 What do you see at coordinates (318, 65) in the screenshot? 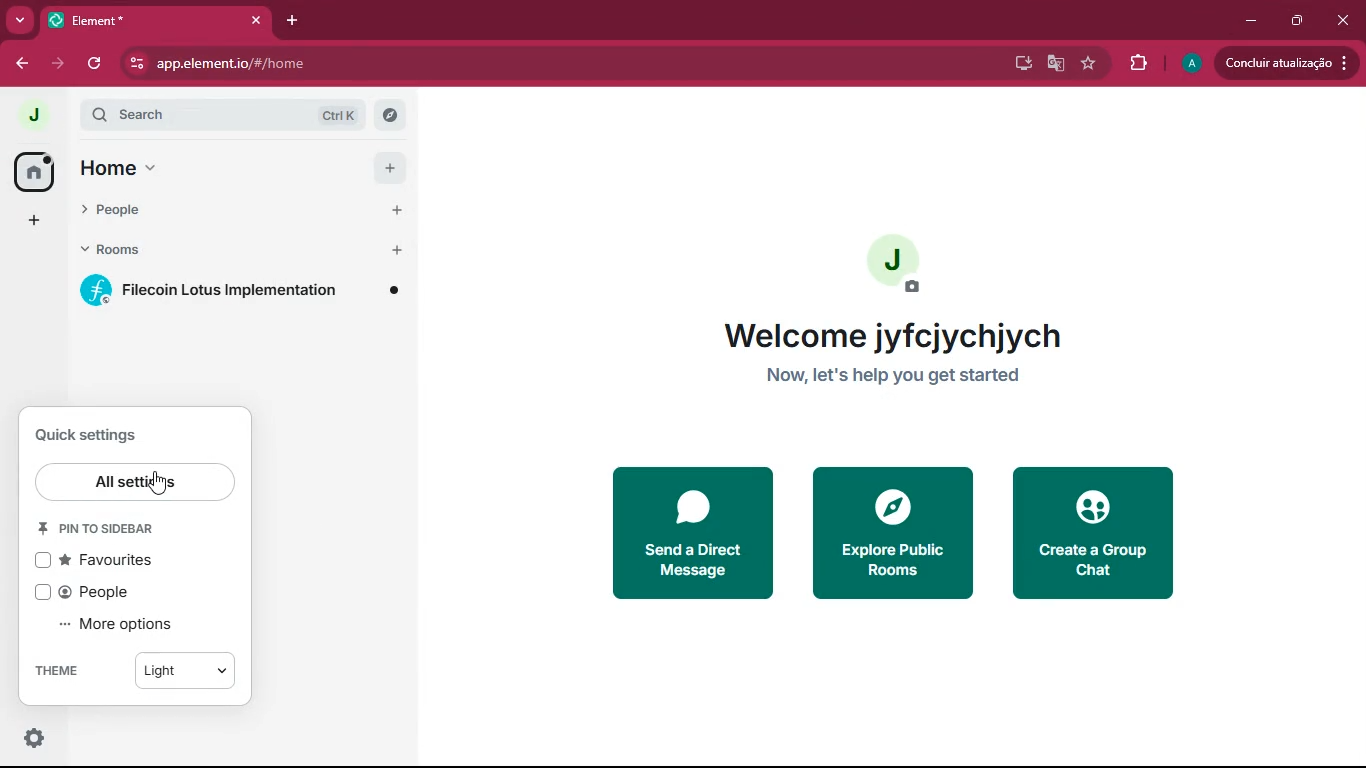
I see `app.element.io/#/home` at bounding box center [318, 65].